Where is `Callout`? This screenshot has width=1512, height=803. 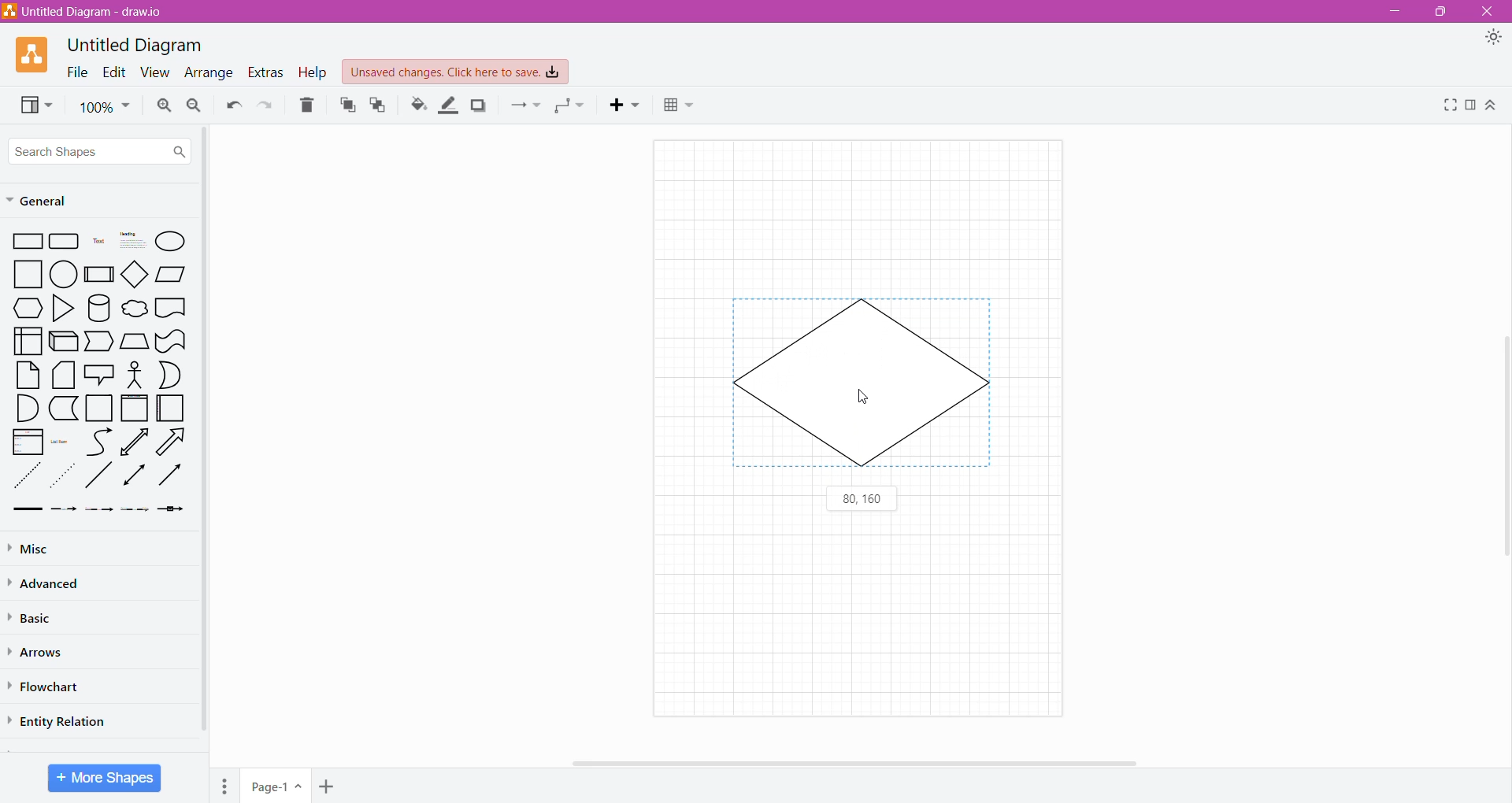 Callout is located at coordinates (98, 376).